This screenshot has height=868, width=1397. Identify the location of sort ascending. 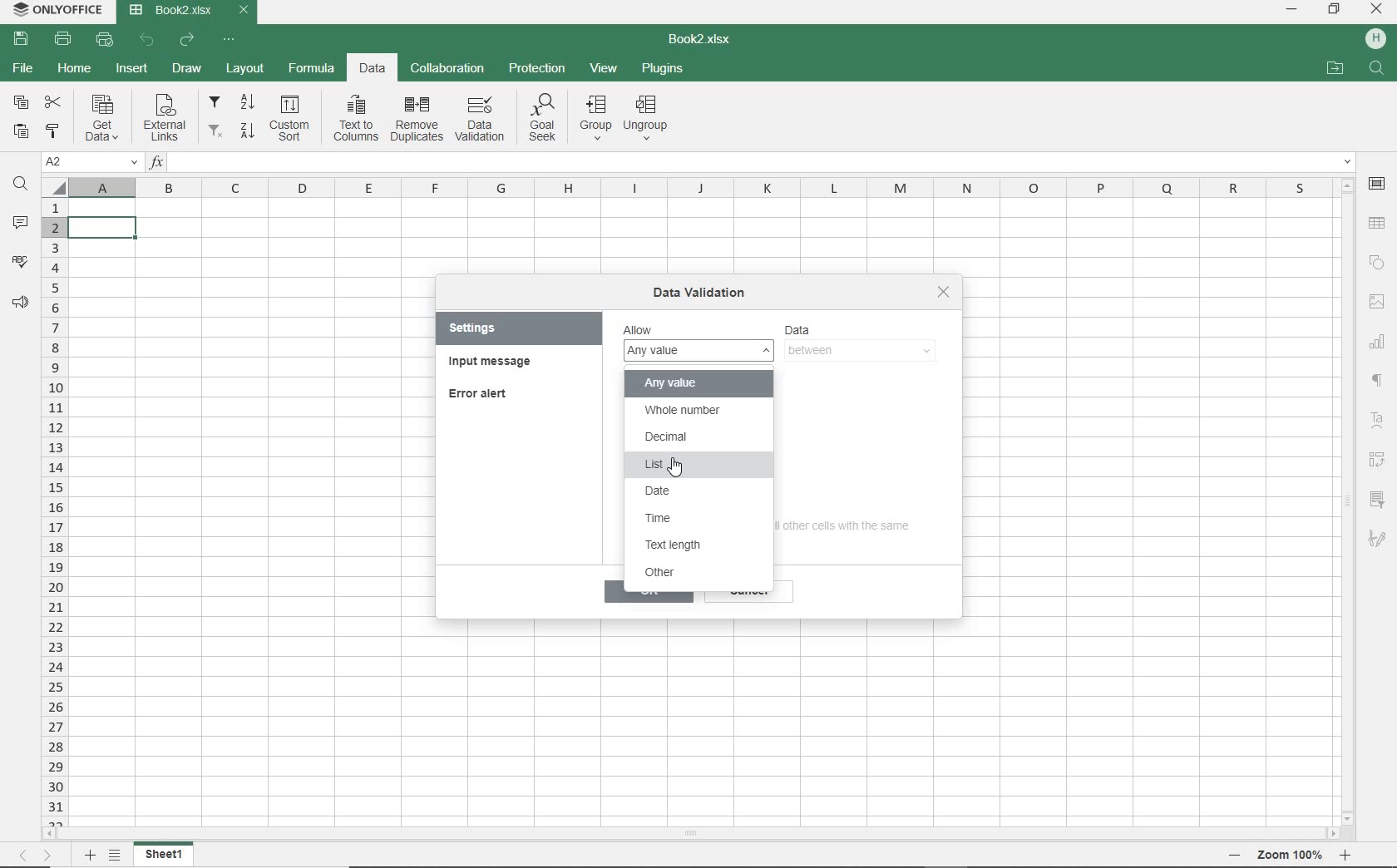
(250, 103).